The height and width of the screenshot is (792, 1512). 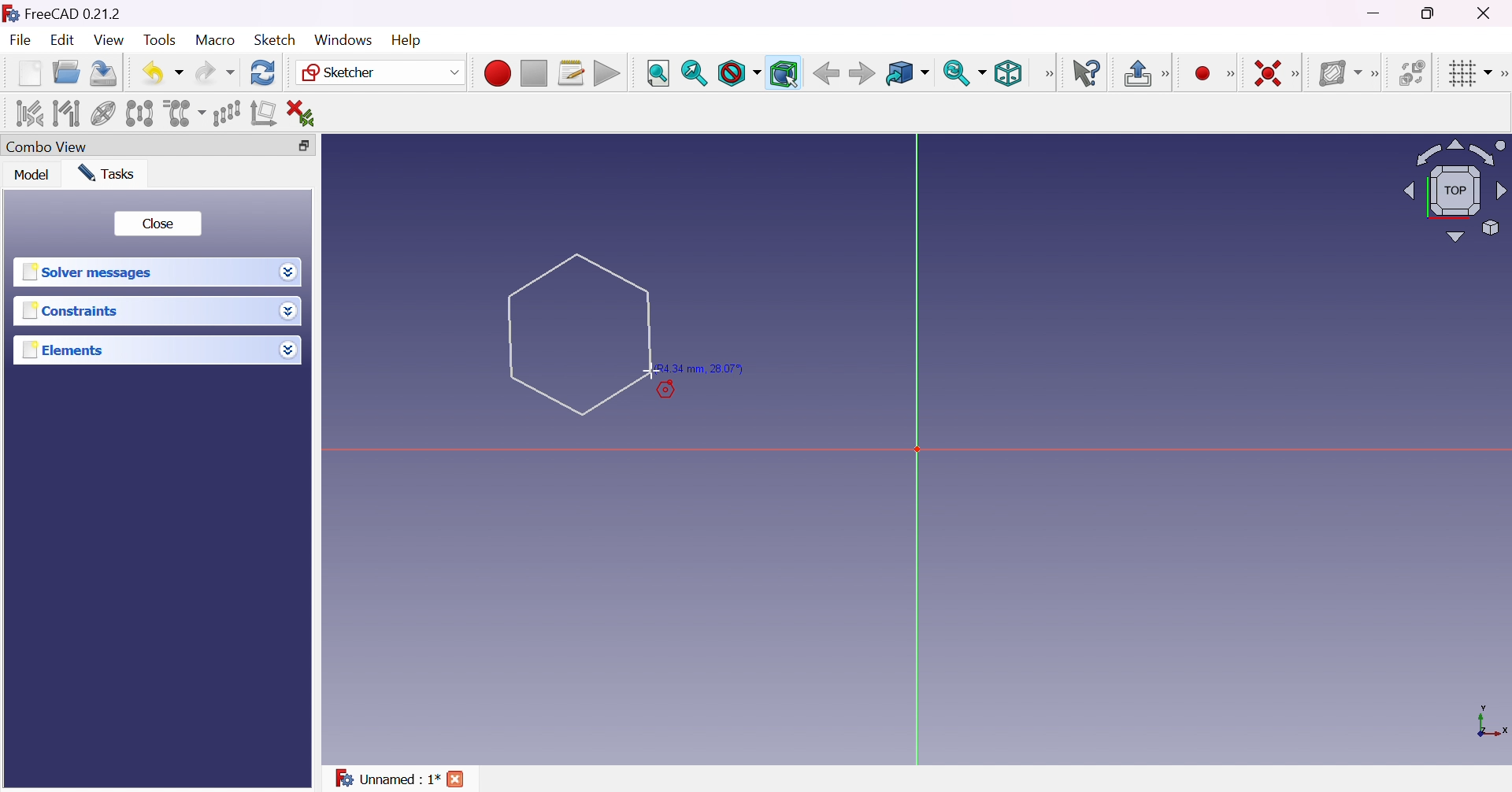 I want to click on Sketch, so click(x=280, y=39).